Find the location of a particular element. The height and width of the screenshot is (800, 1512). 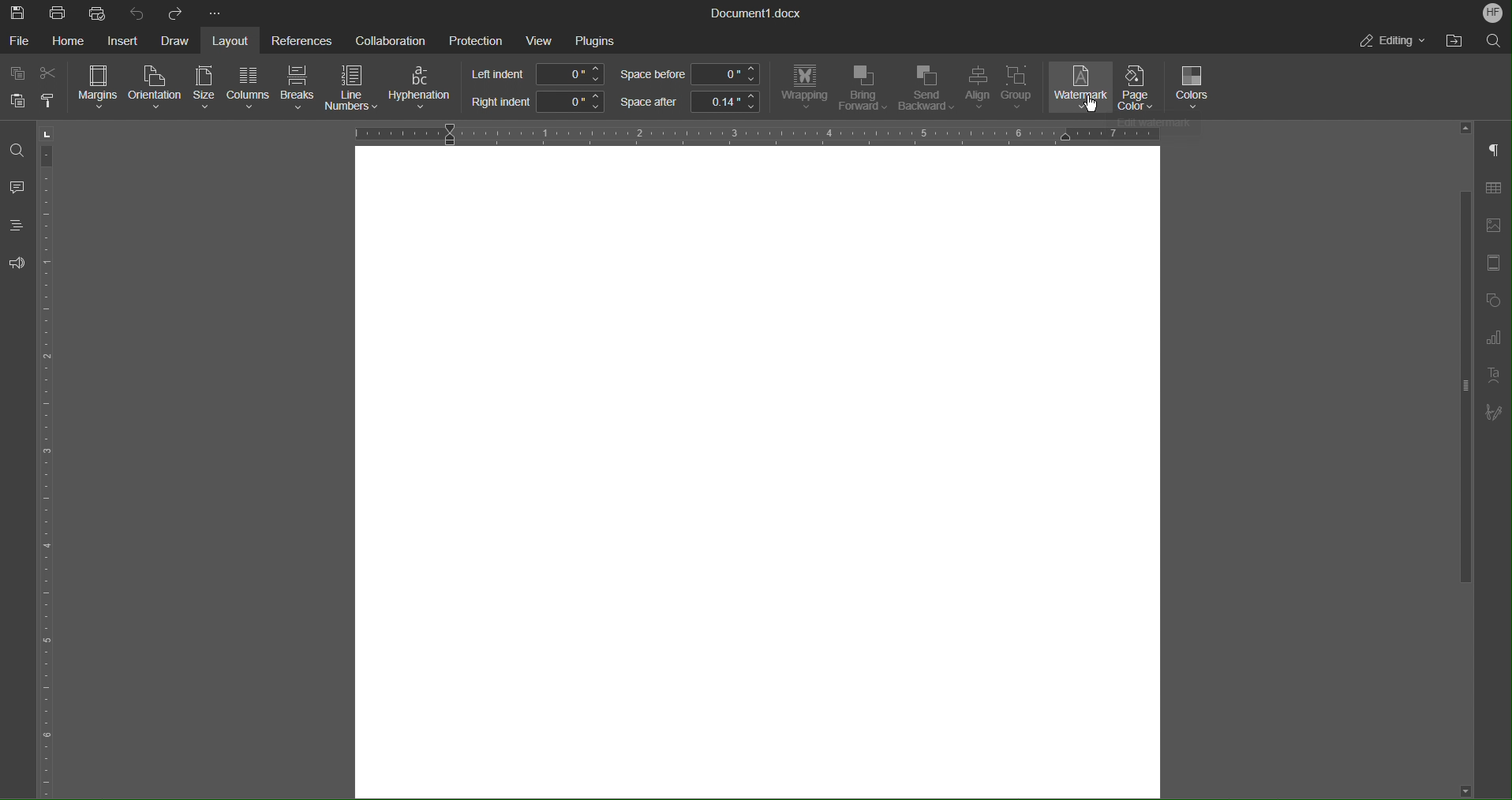

Wrapping is located at coordinates (804, 88).